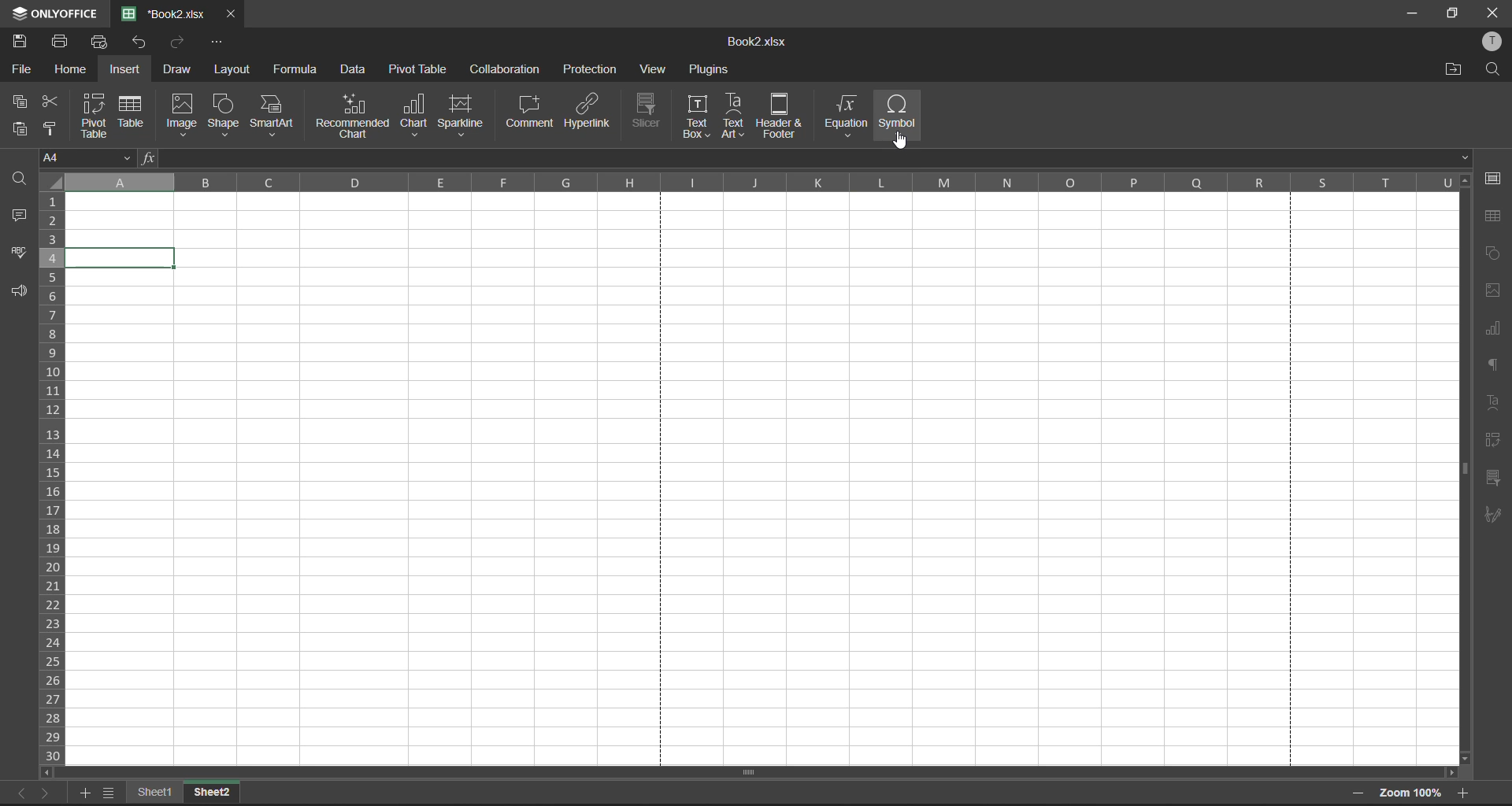 The image size is (1512, 806). I want to click on undo, so click(141, 46).